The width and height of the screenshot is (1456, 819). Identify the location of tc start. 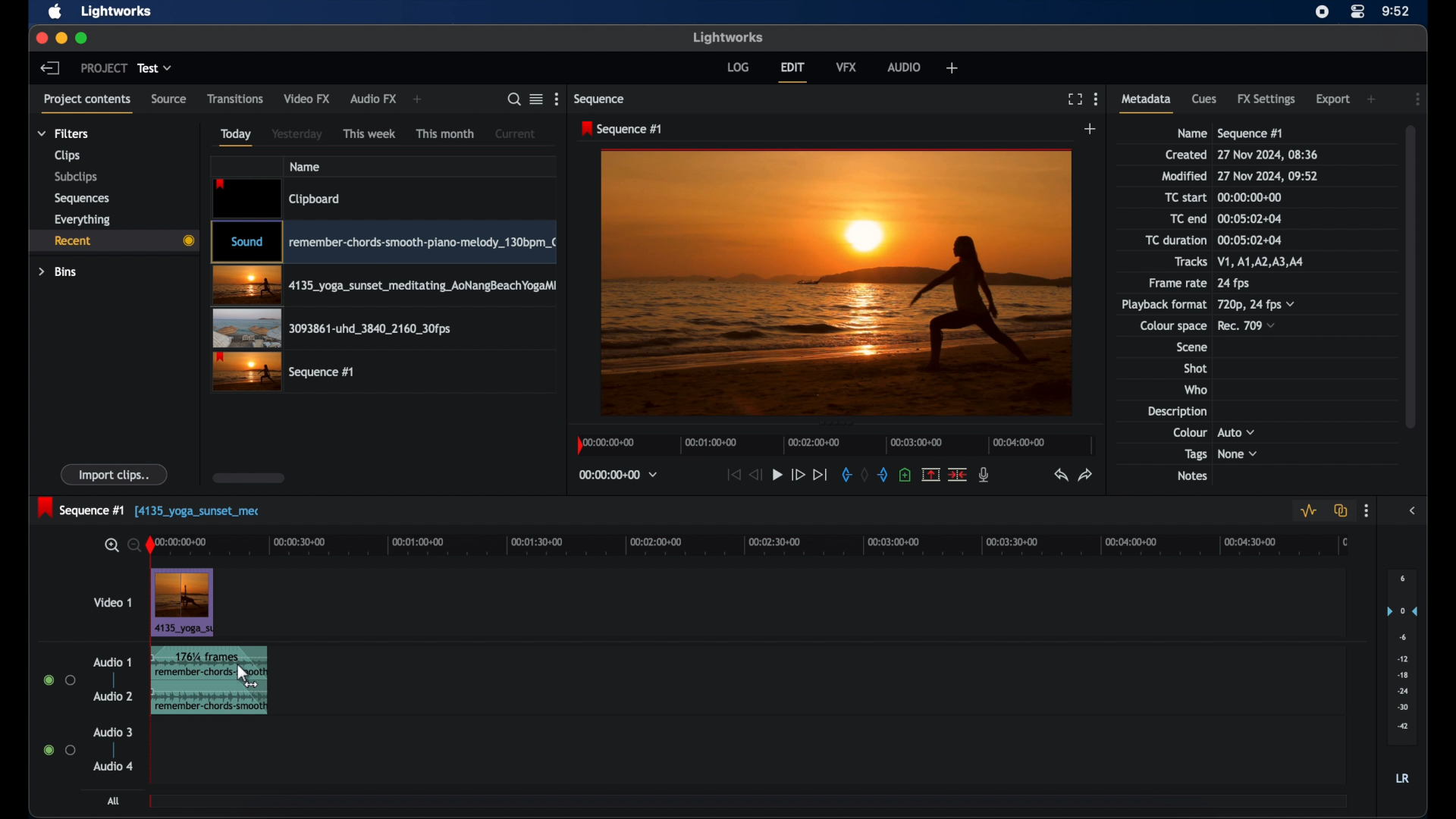
(1253, 196).